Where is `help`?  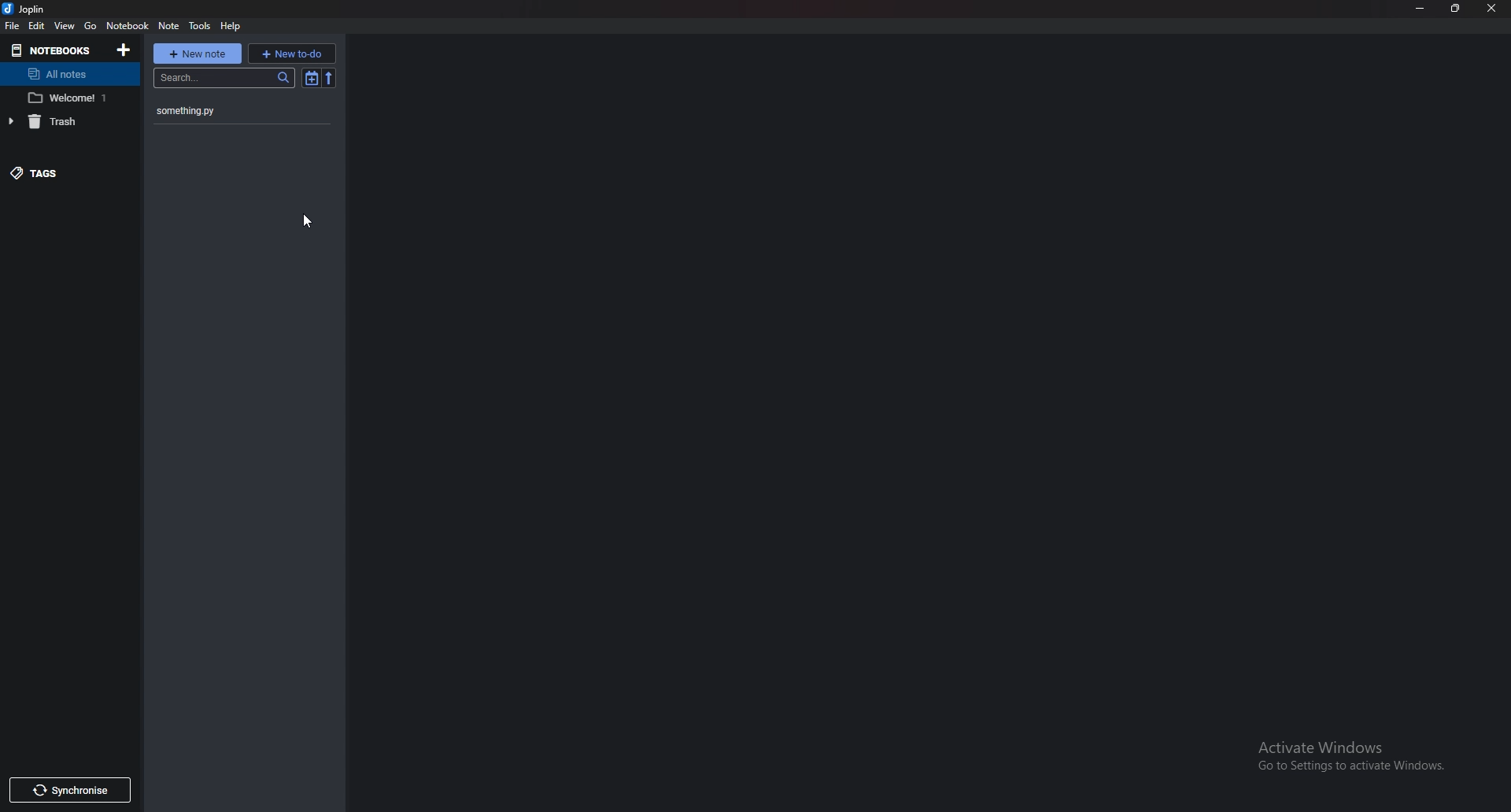 help is located at coordinates (235, 25).